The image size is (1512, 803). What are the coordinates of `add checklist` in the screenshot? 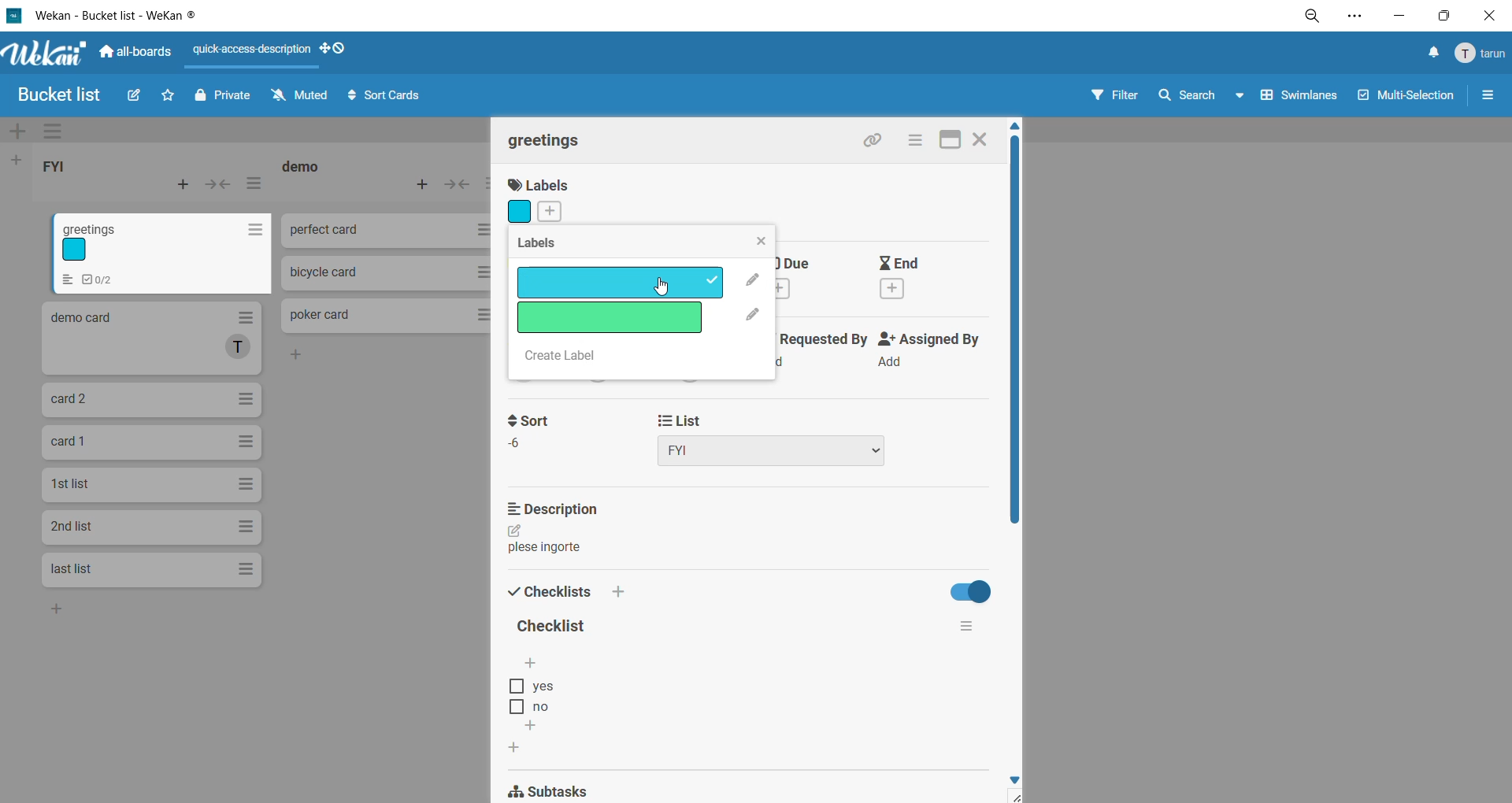 It's located at (515, 749).